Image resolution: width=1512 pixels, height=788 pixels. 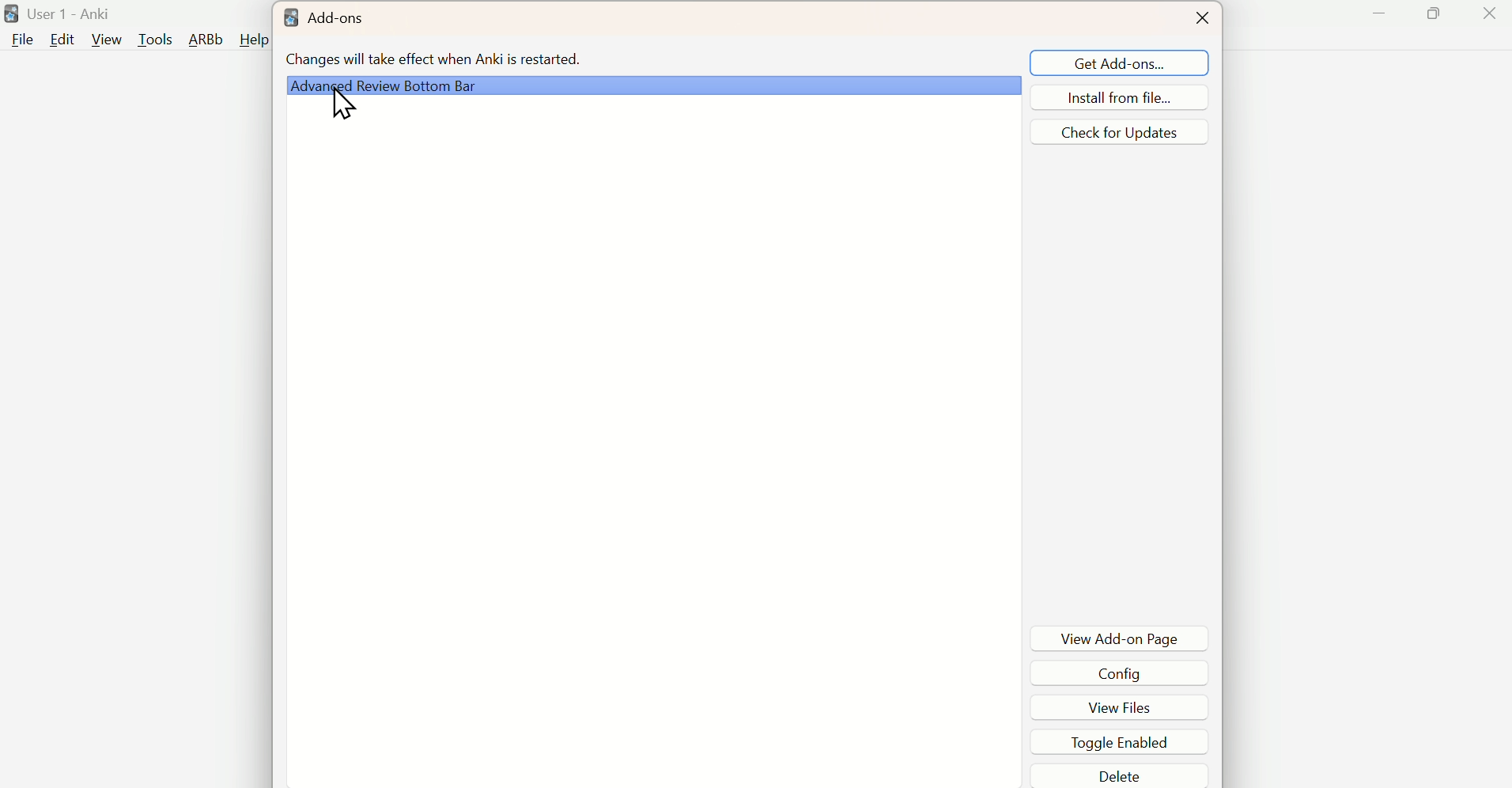 What do you see at coordinates (20, 42) in the screenshot?
I see `File` at bounding box center [20, 42].